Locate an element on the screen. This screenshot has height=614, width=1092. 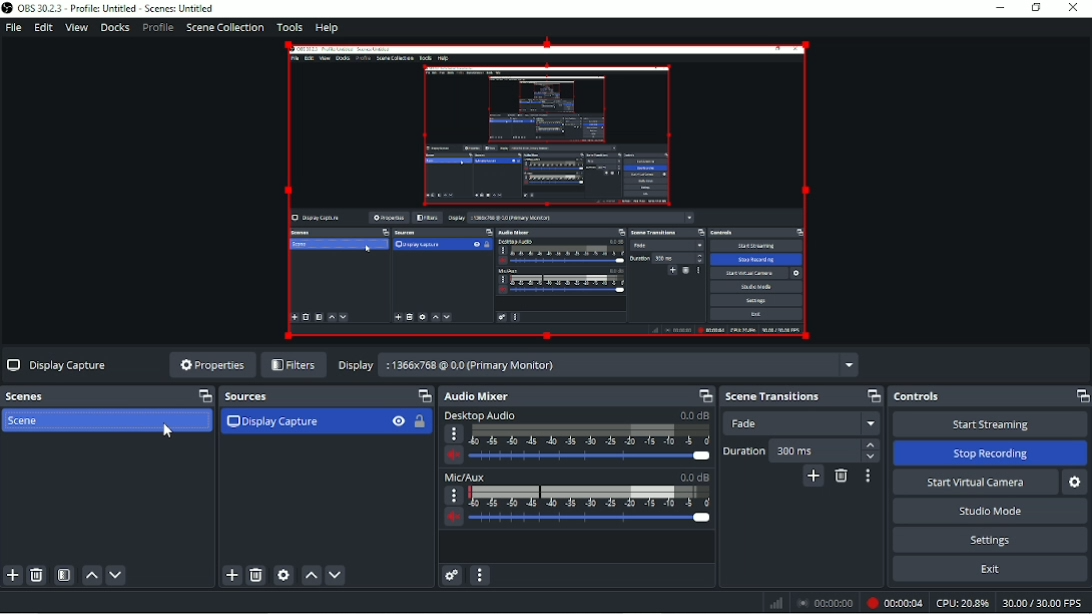
Advanced audio properties is located at coordinates (452, 576).